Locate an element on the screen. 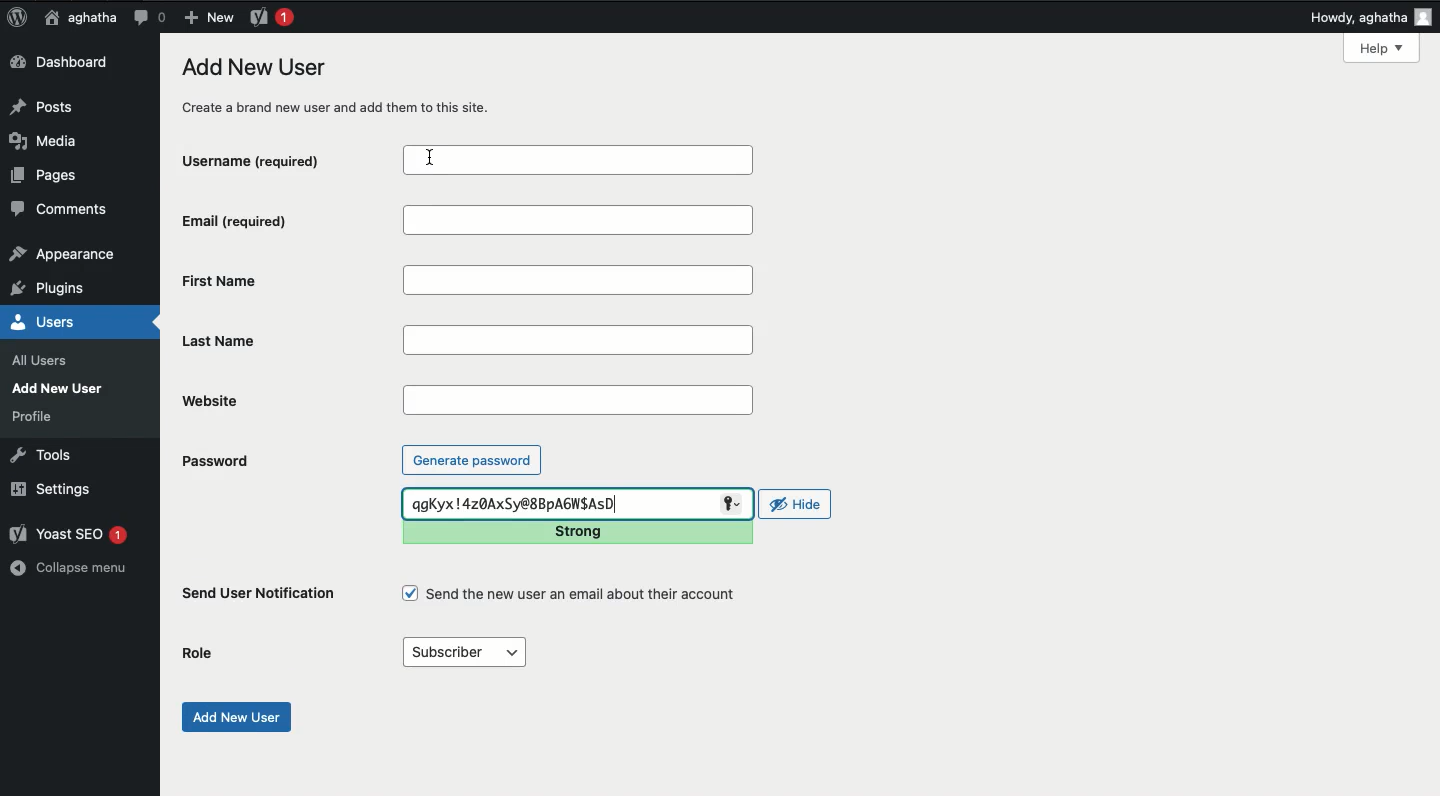 This screenshot has width=1440, height=796. Last name is located at coordinates (288, 342).